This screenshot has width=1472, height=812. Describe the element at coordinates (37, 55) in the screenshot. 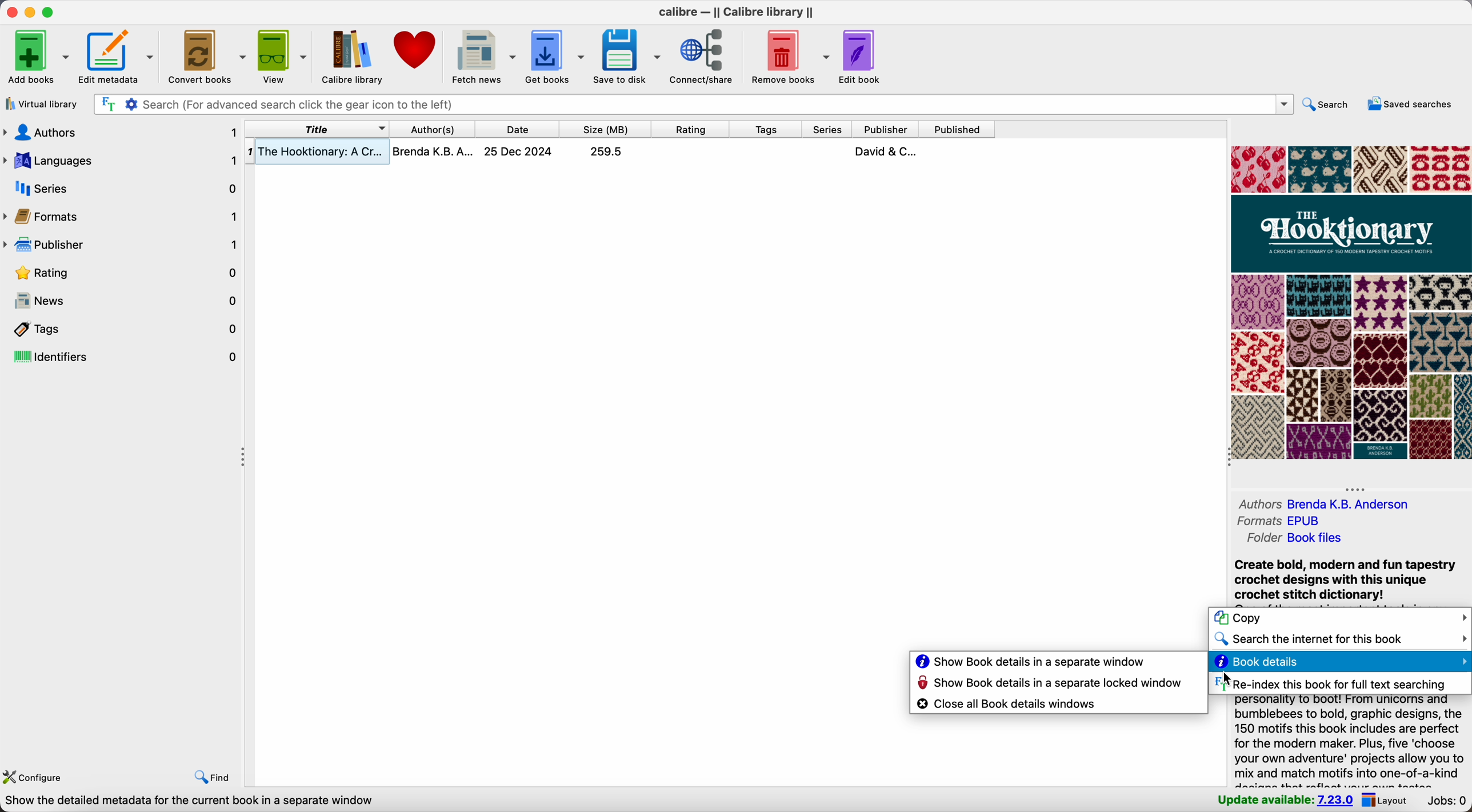

I see `add books` at that location.